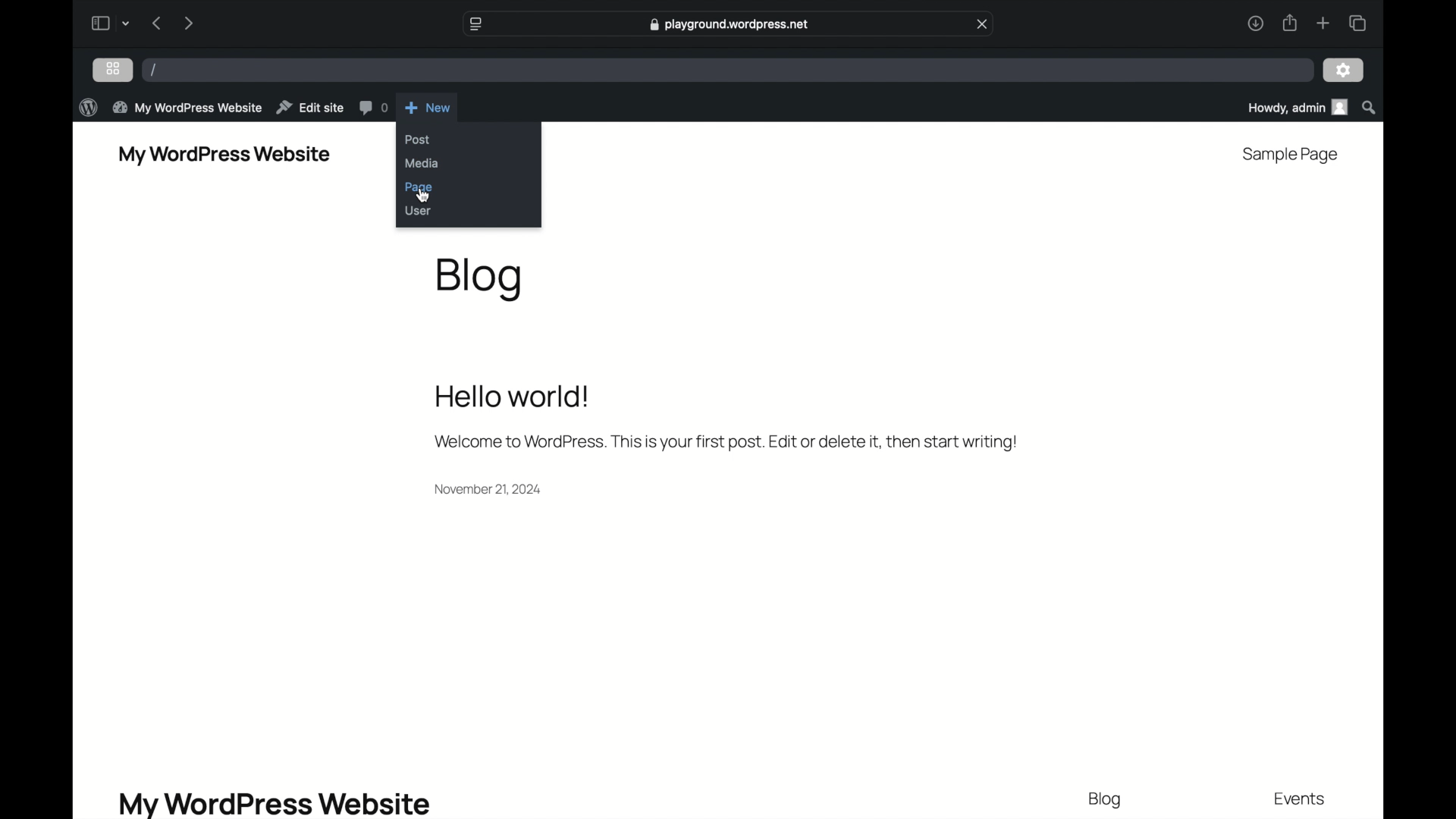 This screenshot has height=819, width=1456. What do you see at coordinates (190, 22) in the screenshot?
I see `next page` at bounding box center [190, 22].